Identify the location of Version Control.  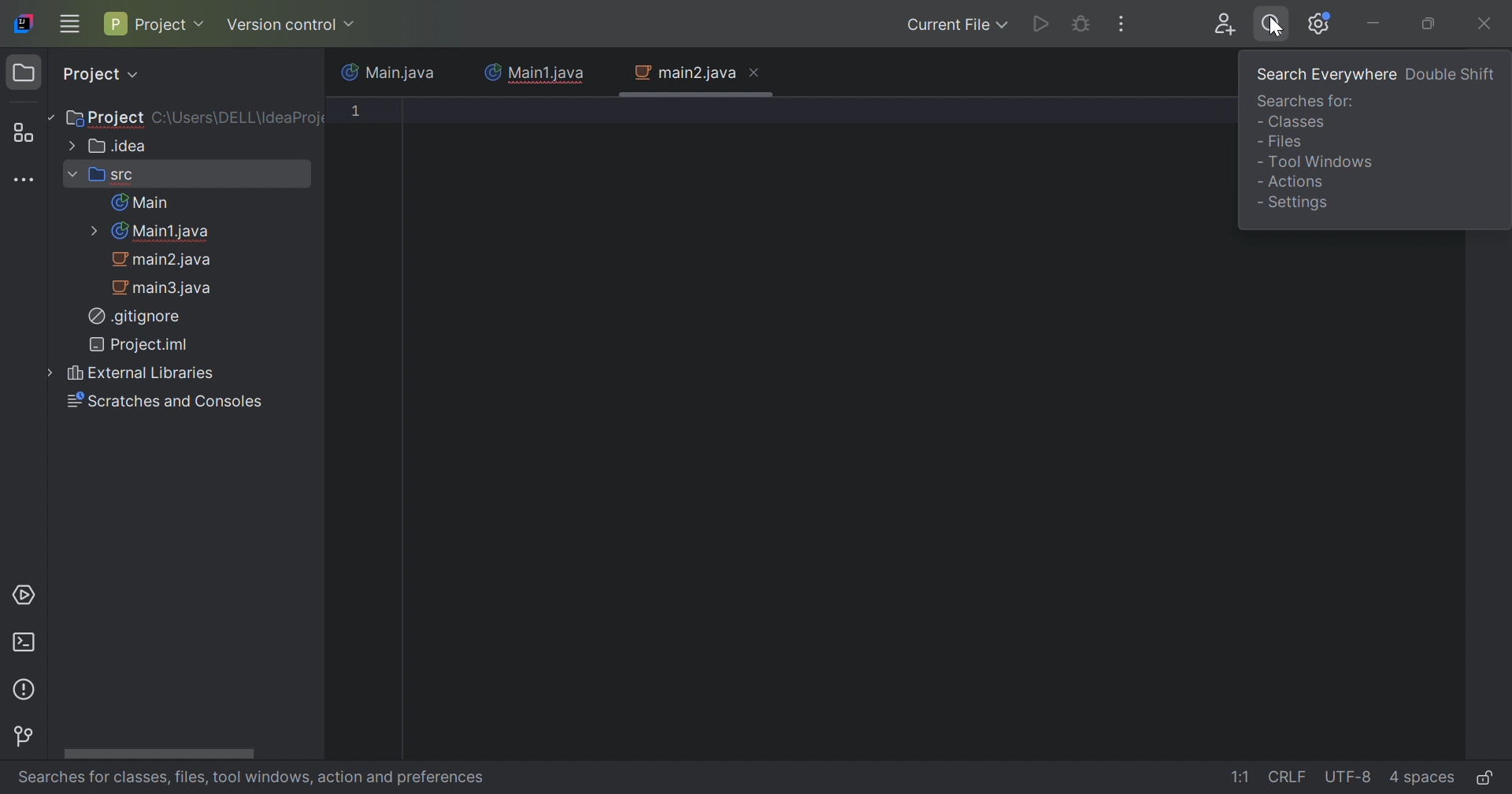
(291, 22).